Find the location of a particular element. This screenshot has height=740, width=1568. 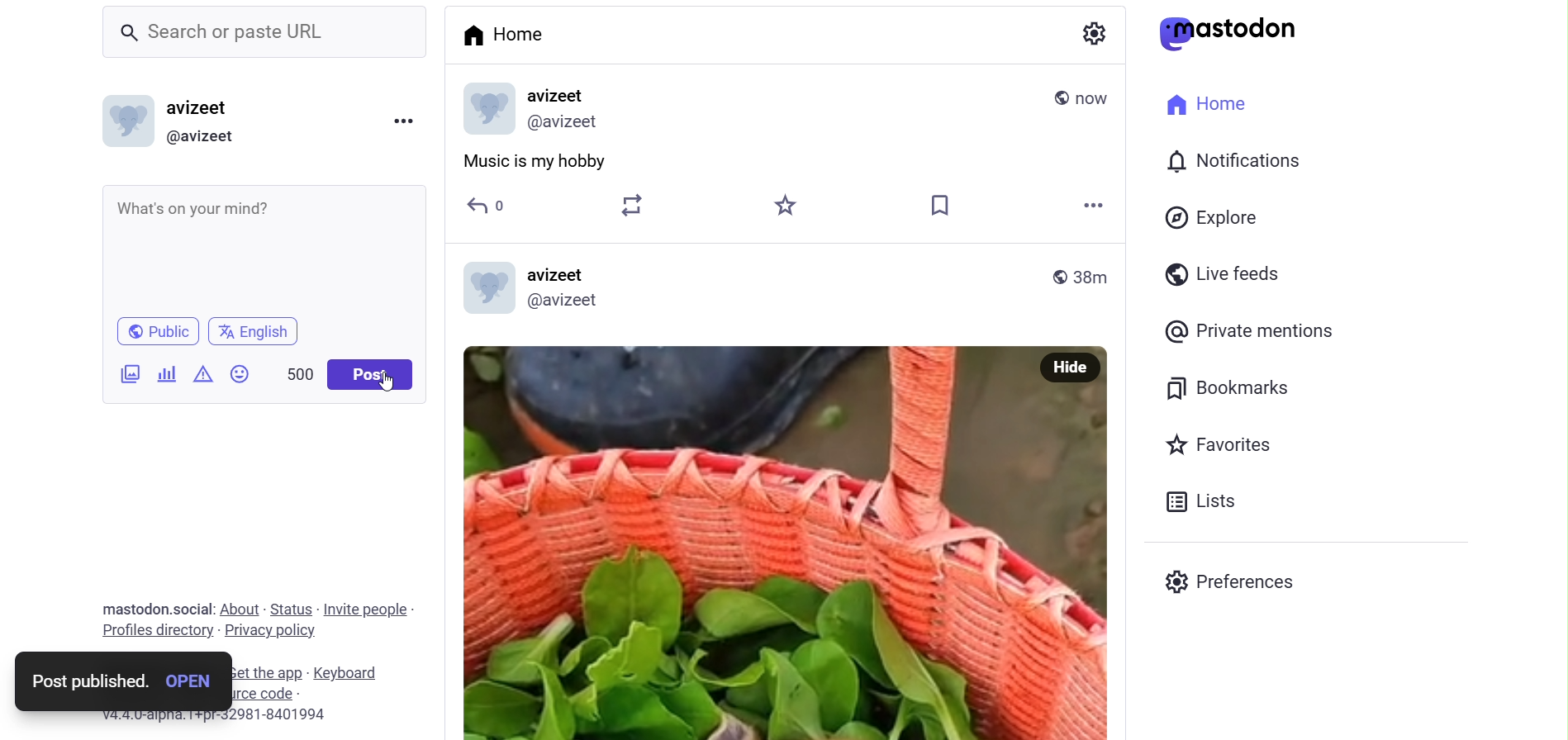

Bookmark is located at coordinates (944, 206).